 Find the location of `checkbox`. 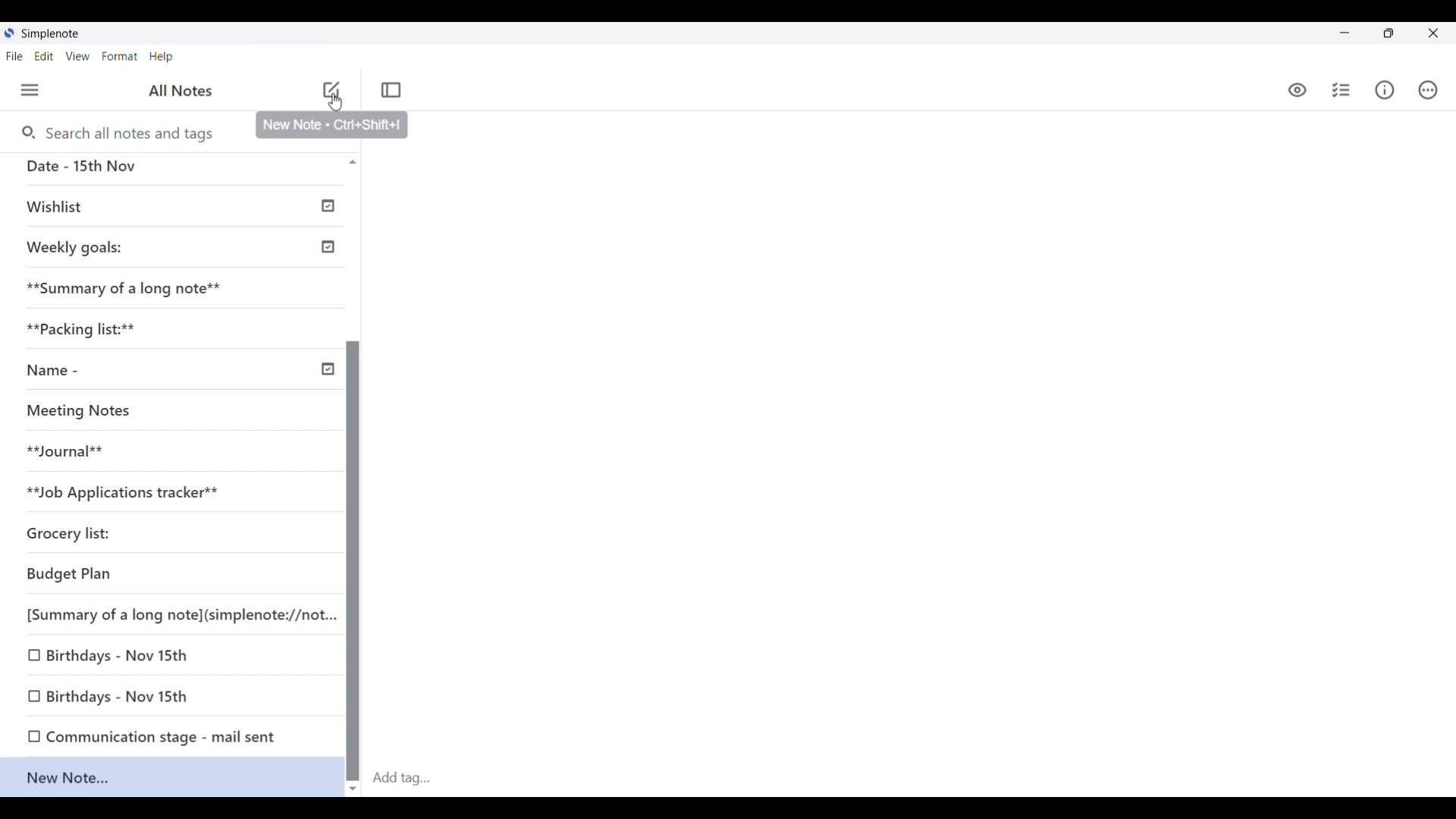

checkbox is located at coordinates (31, 655).